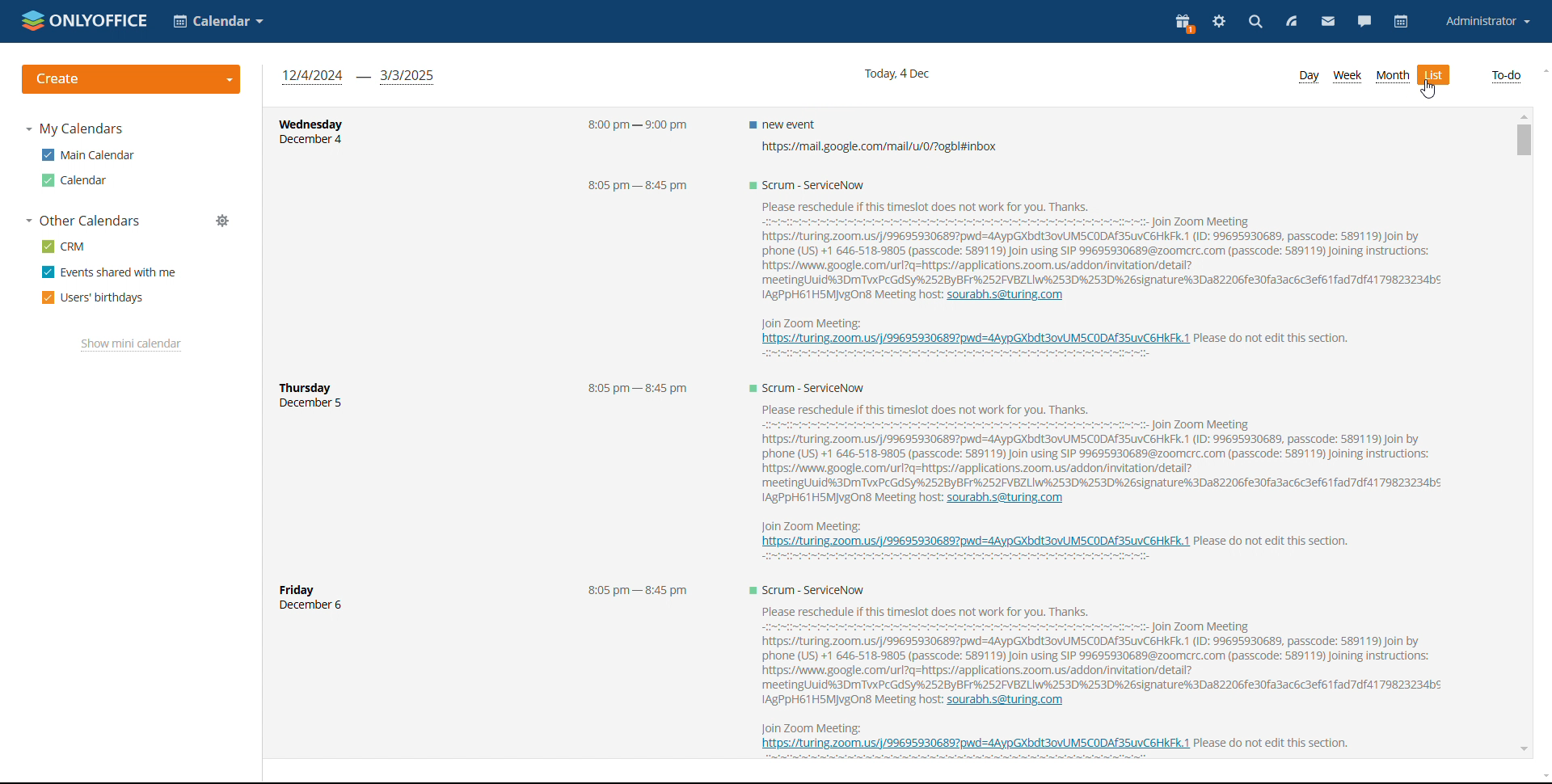  I want to click on Please do not edit this section., so click(1275, 541).